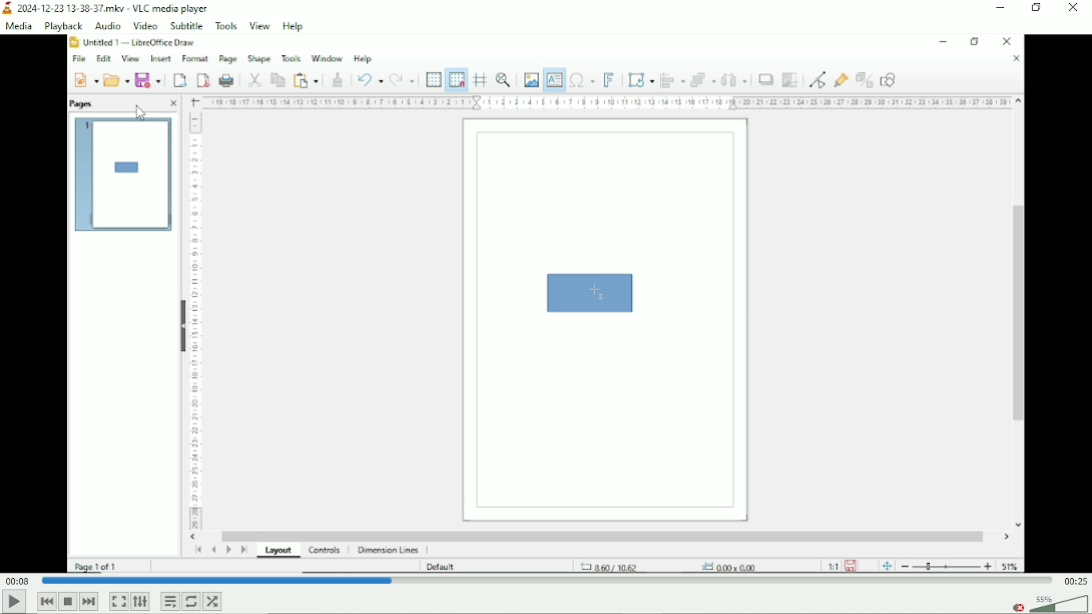  What do you see at coordinates (89, 601) in the screenshot?
I see `Next` at bounding box center [89, 601].